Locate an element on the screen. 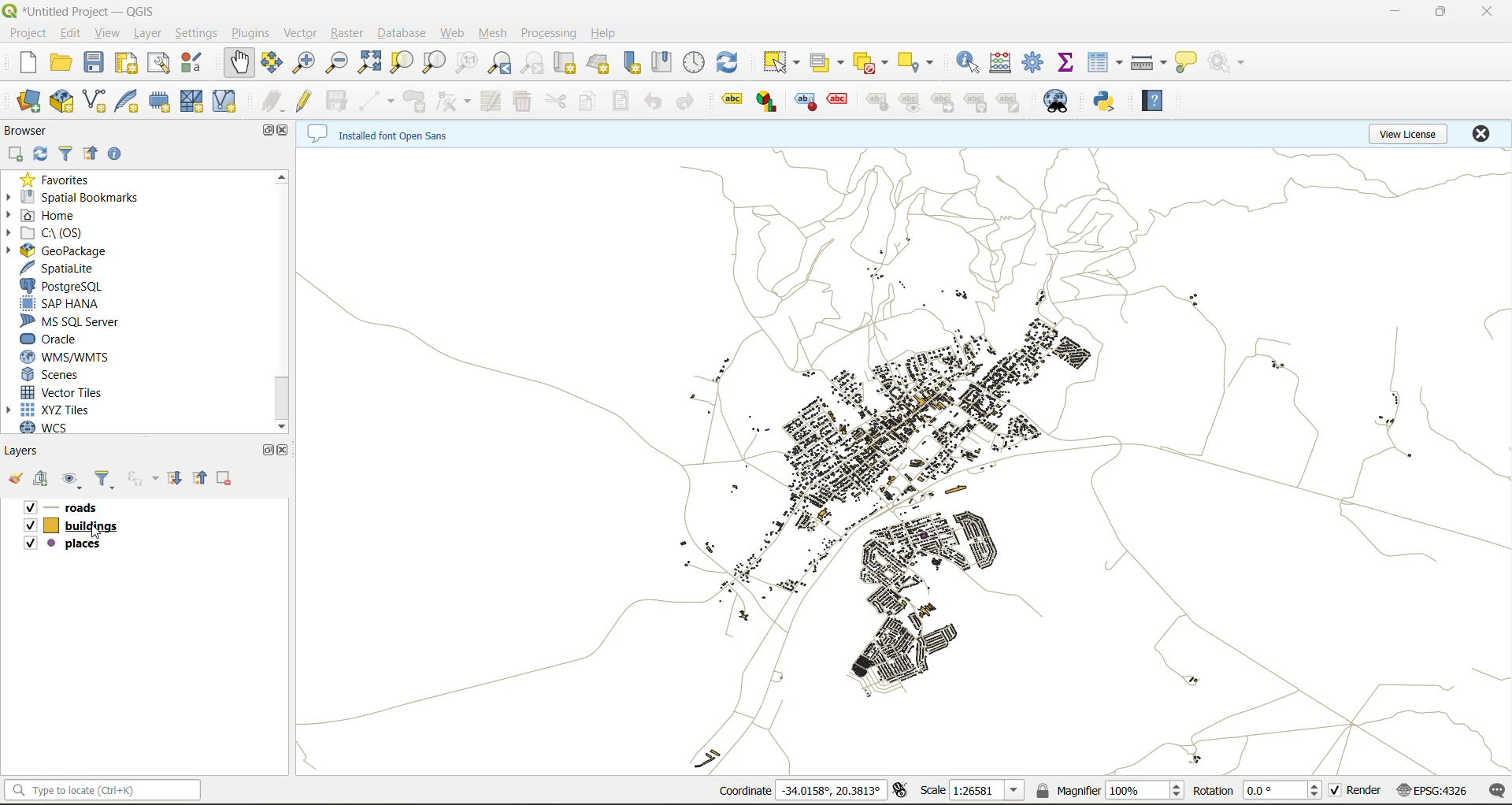 This screenshot has height=805, width=1512. maximize is located at coordinates (1440, 14).